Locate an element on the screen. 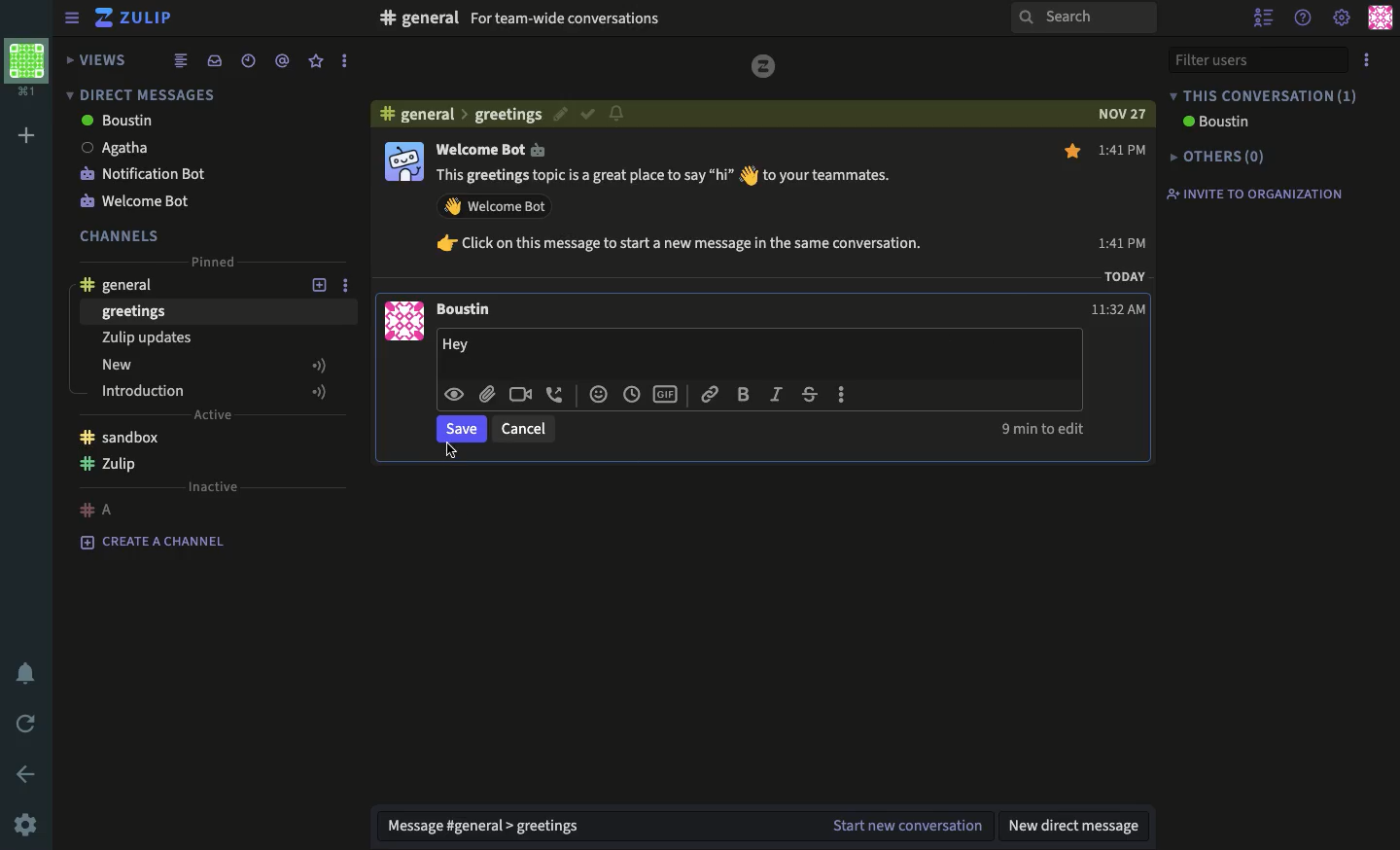 Image resolution: width=1400 pixels, height=850 pixels. Hey is located at coordinates (468, 345).